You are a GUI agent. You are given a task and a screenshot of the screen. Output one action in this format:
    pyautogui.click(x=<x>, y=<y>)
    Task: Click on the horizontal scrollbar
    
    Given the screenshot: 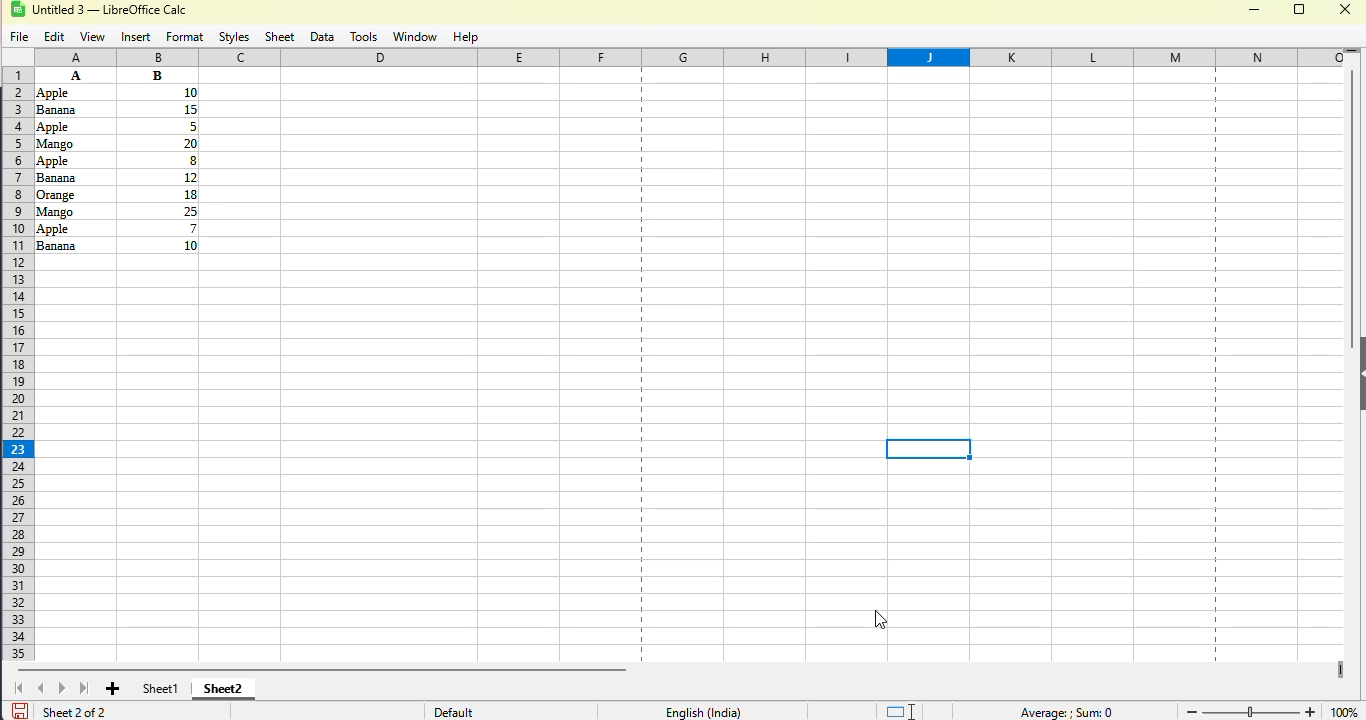 What is the action you would take?
    pyautogui.click(x=321, y=669)
    